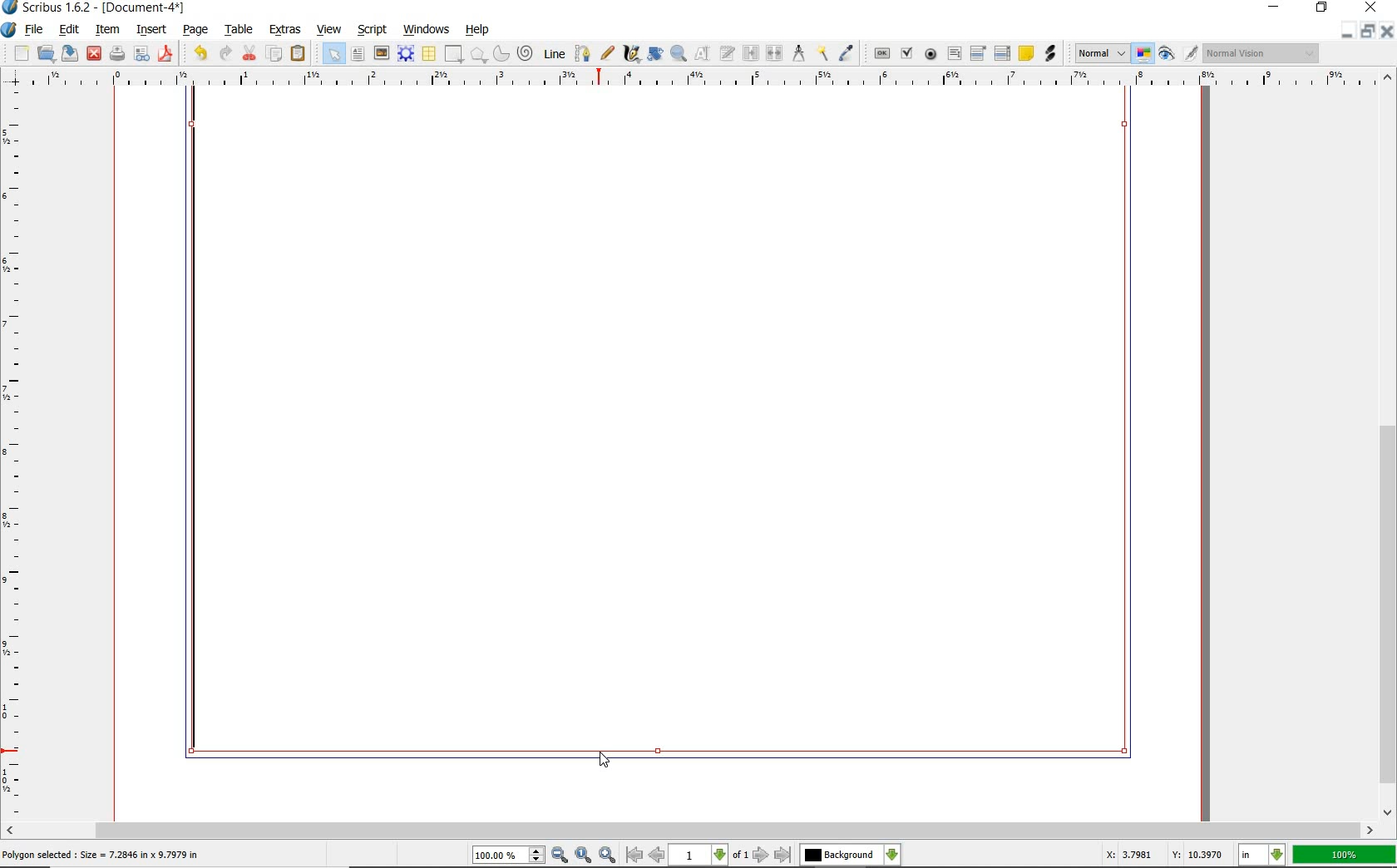  I want to click on 100%, so click(1344, 855).